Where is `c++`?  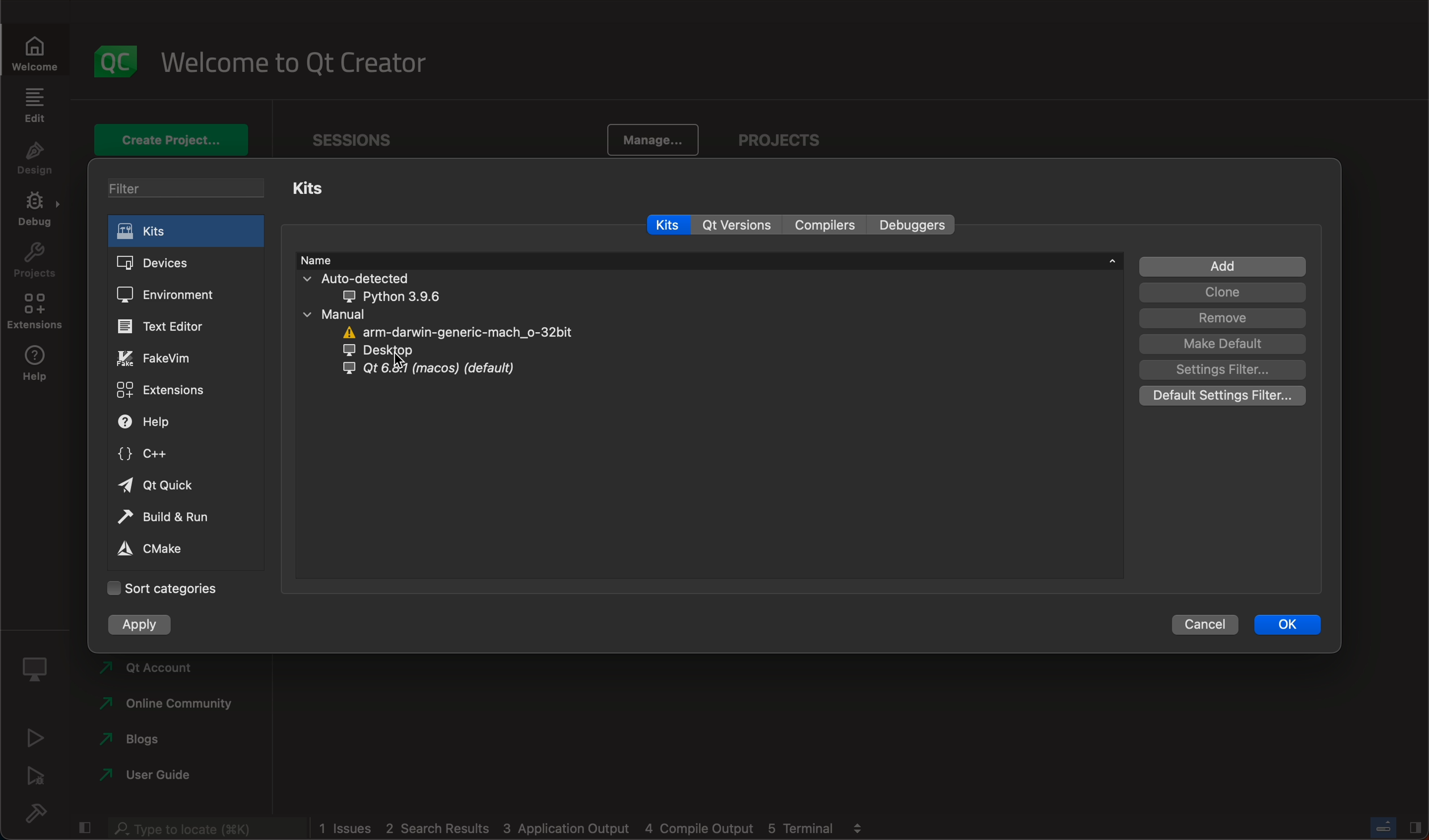 c++ is located at coordinates (162, 455).